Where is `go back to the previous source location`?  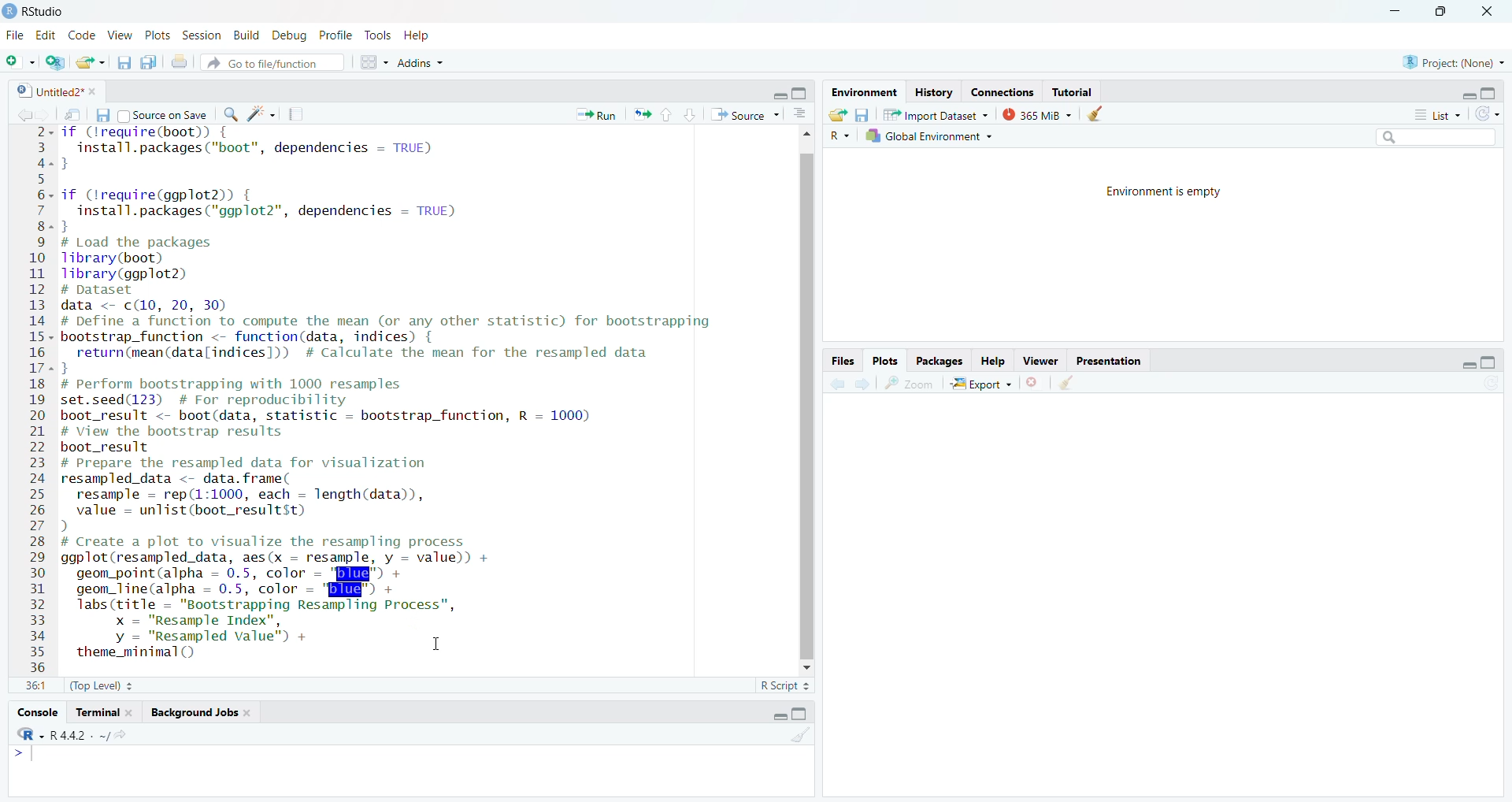
go back to the previous source location is located at coordinates (20, 114).